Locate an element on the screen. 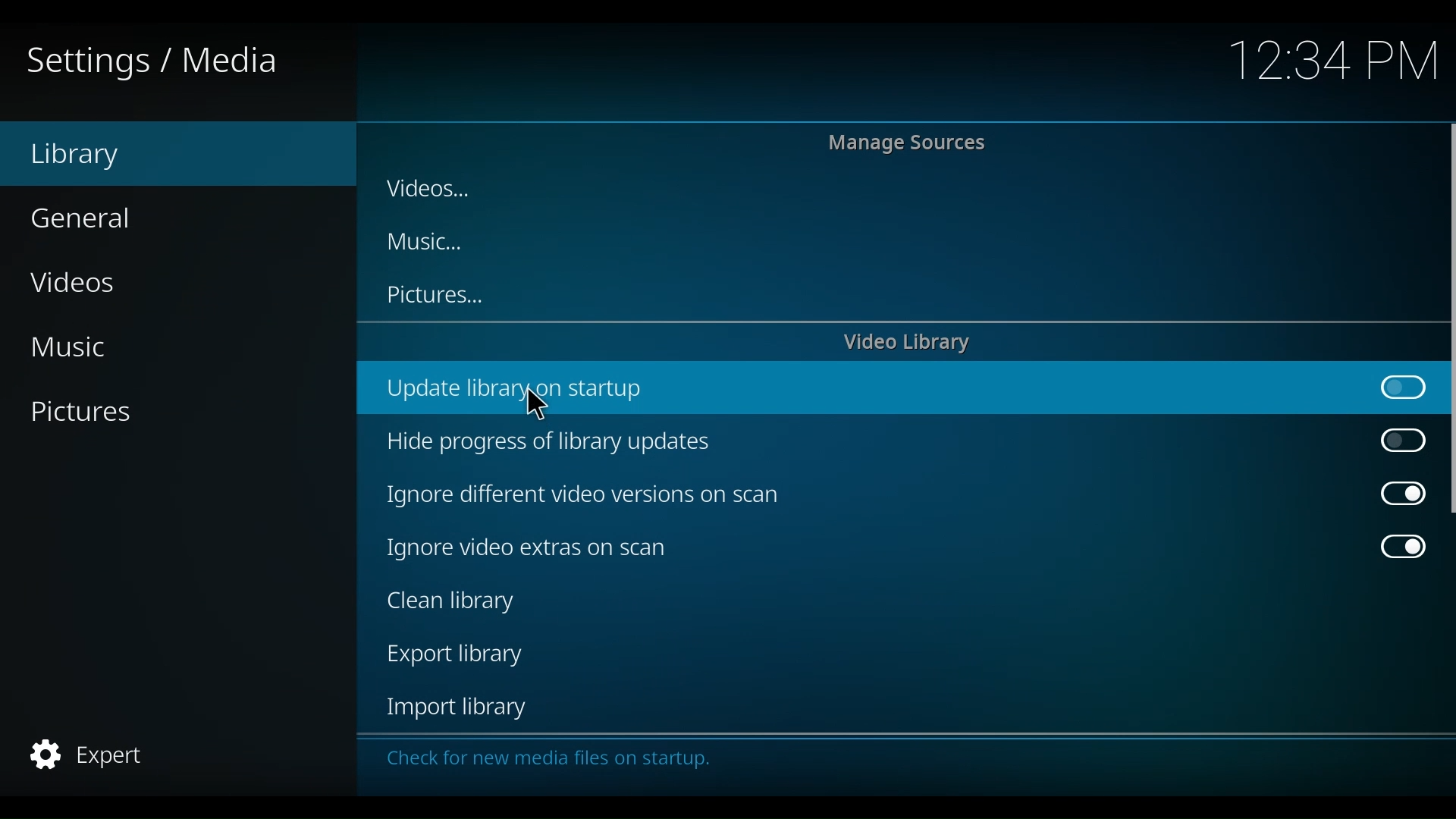  Expert is located at coordinates (84, 754).